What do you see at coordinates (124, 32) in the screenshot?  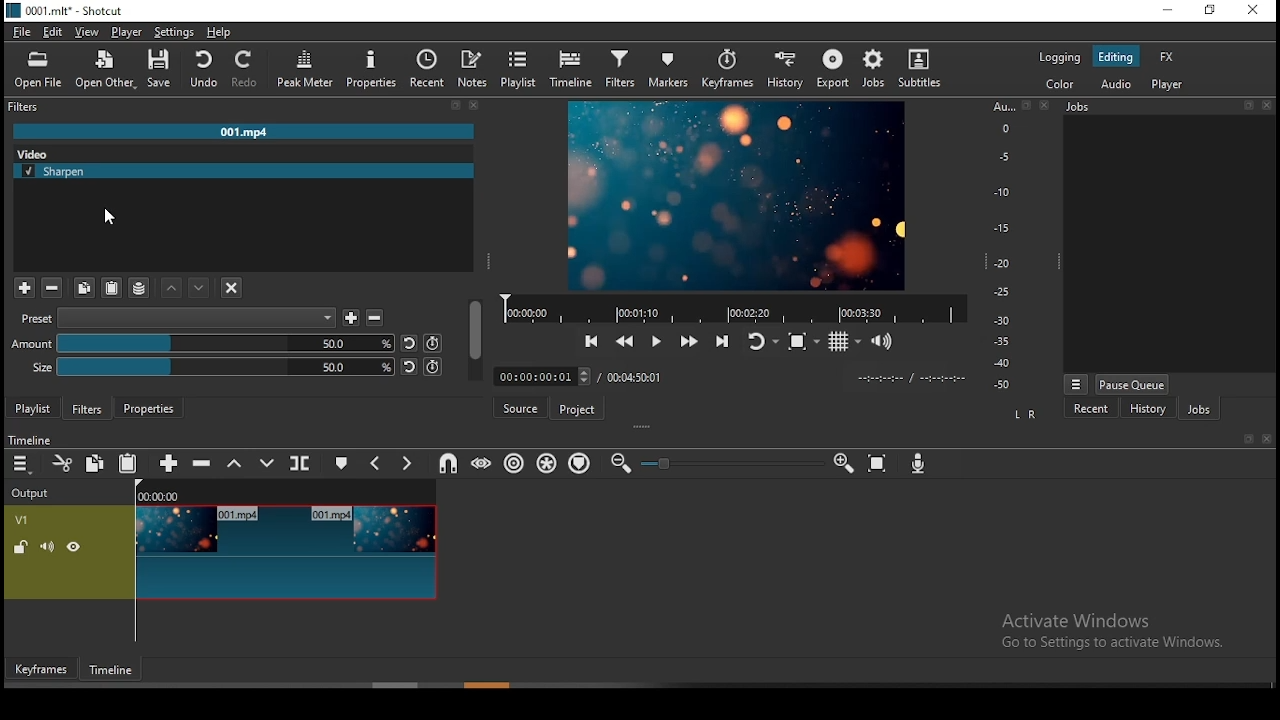 I see `player` at bounding box center [124, 32].